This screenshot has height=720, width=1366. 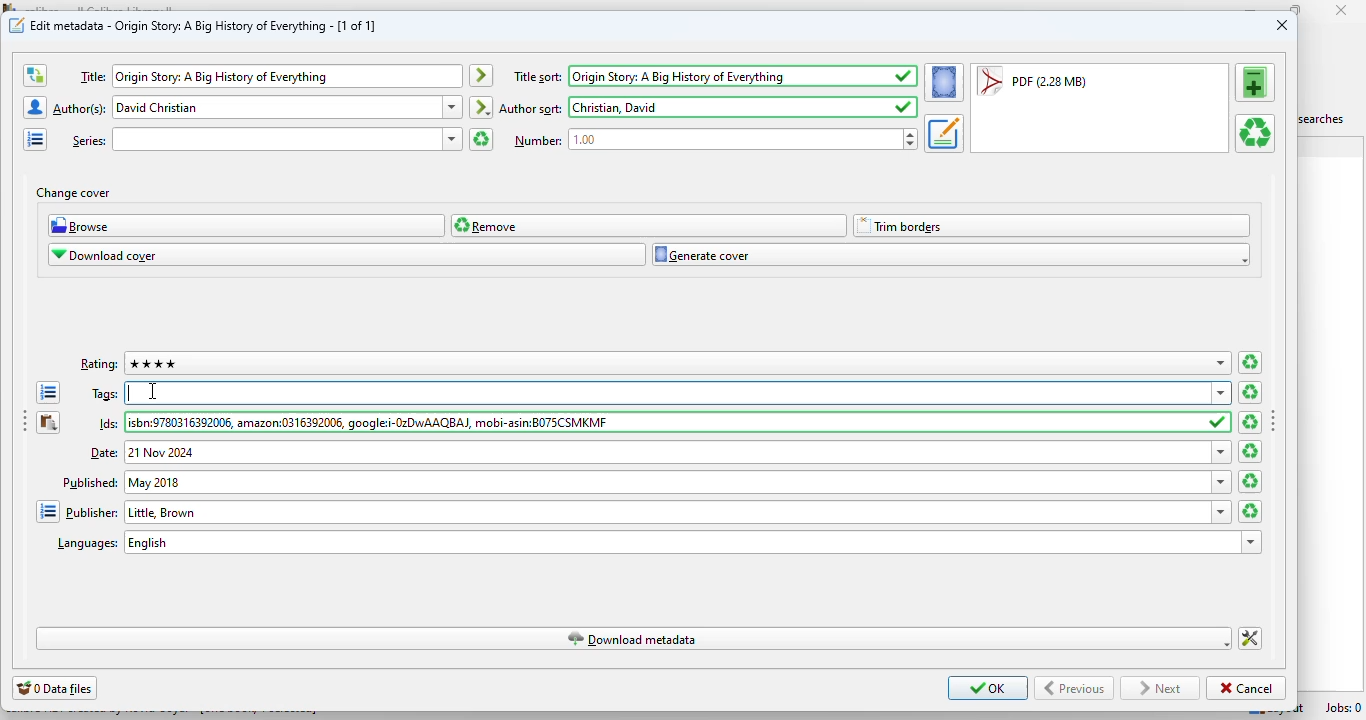 I want to click on cursor, so click(x=151, y=391).